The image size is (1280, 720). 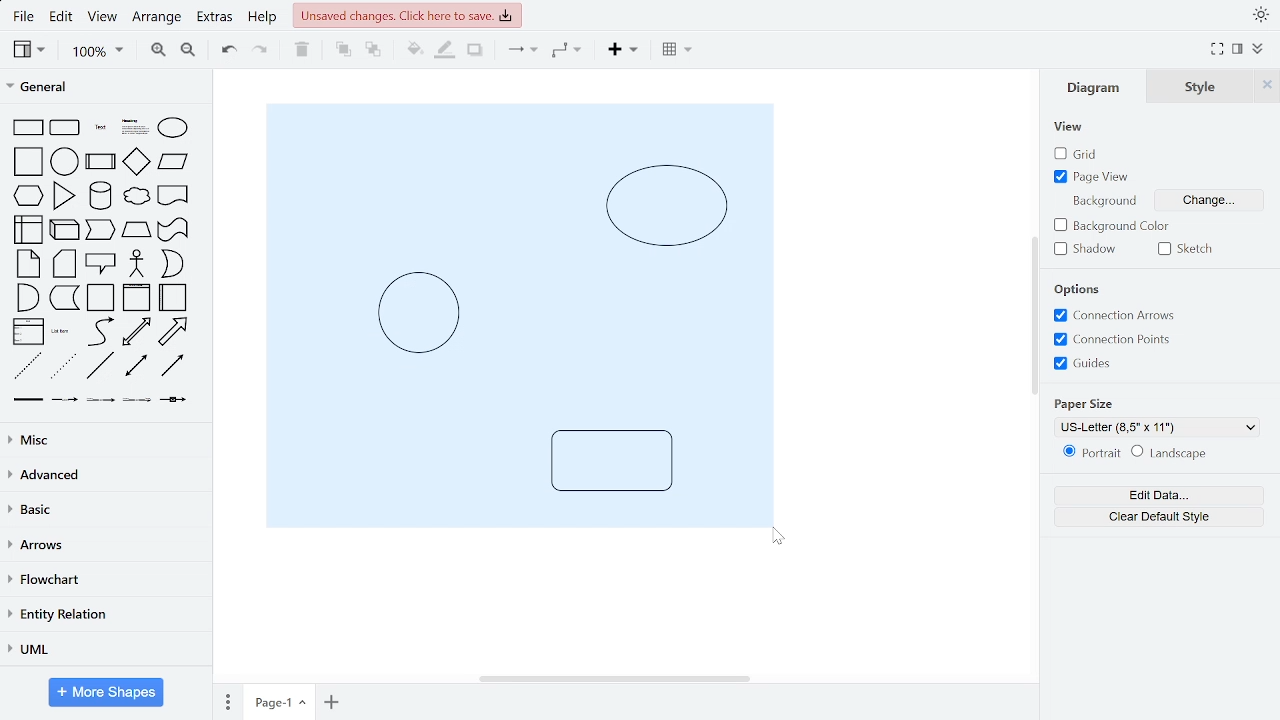 What do you see at coordinates (171, 263) in the screenshot?
I see `or` at bounding box center [171, 263].